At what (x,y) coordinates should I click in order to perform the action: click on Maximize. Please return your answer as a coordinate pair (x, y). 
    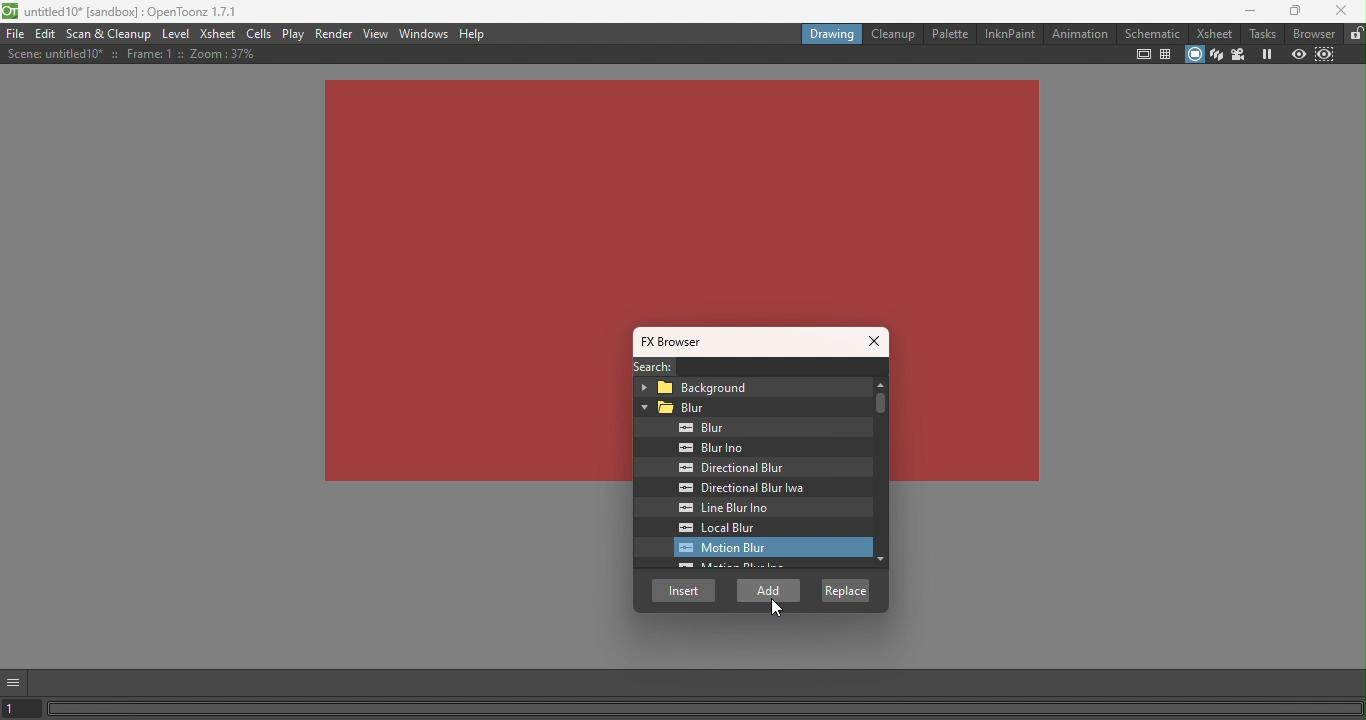
    Looking at the image, I should click on (1296, 11).